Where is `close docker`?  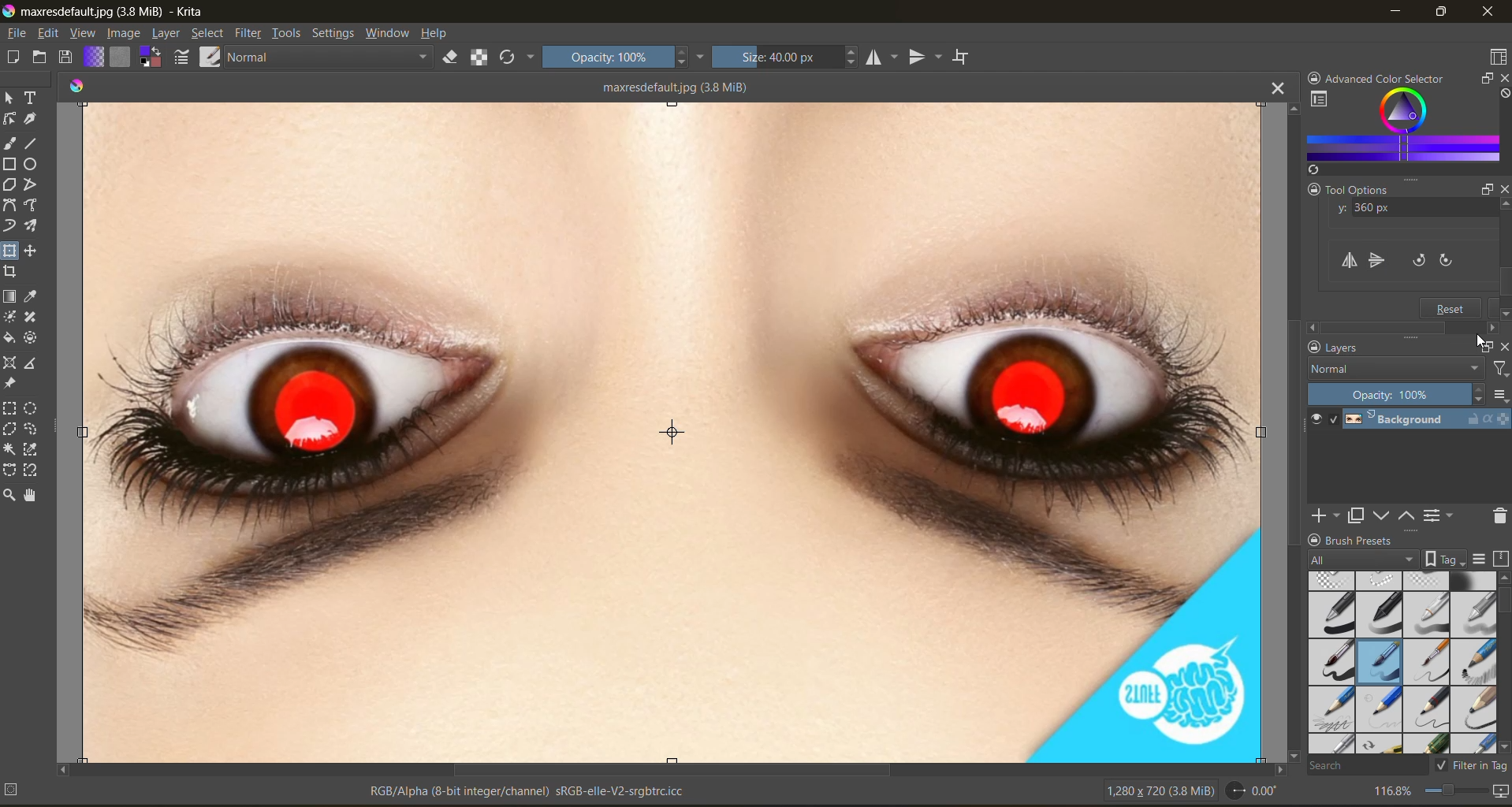
close docker is located at coordinates (1503, 351).